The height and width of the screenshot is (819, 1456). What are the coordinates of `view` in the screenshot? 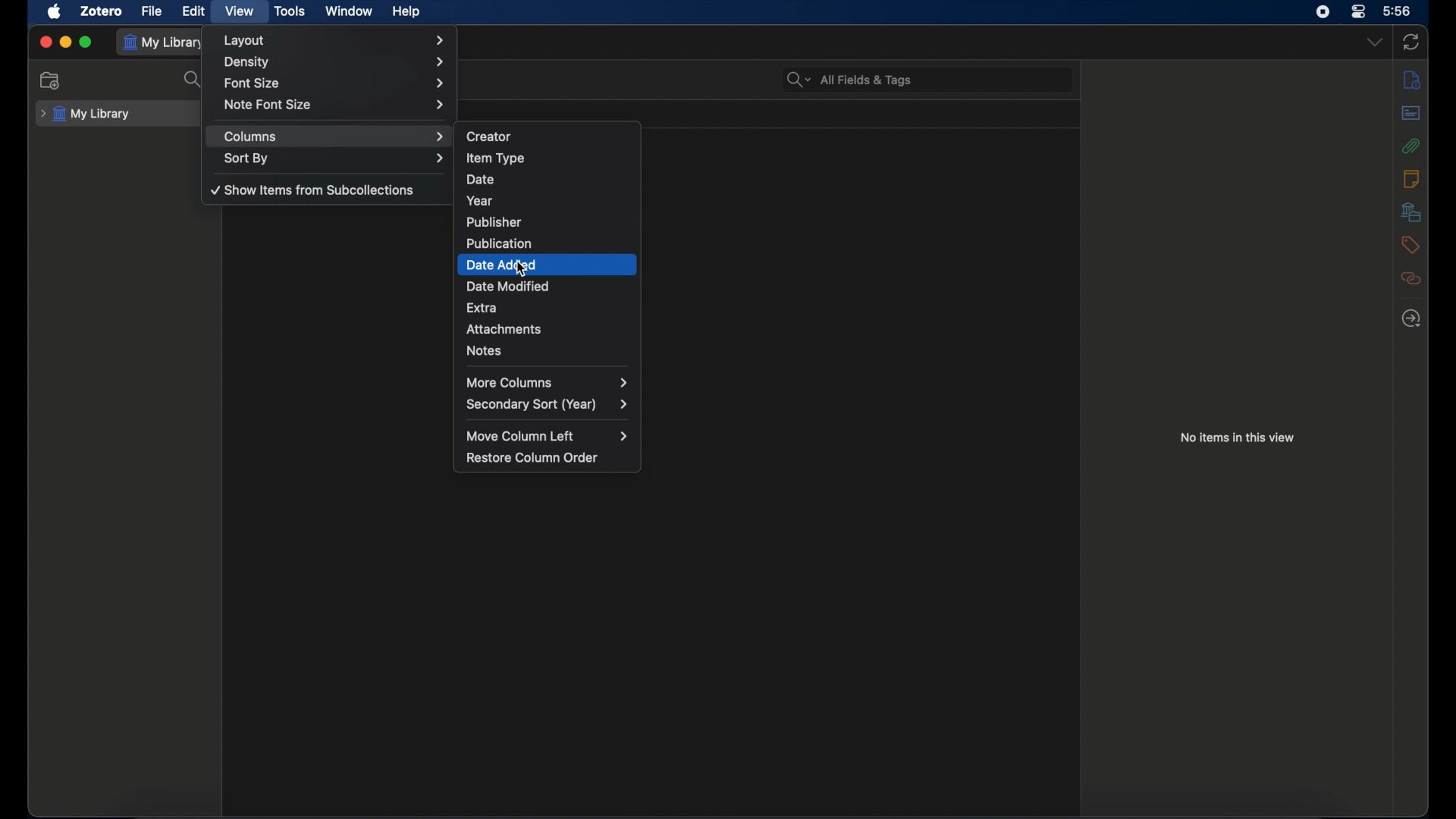 It's located at (240, 11).